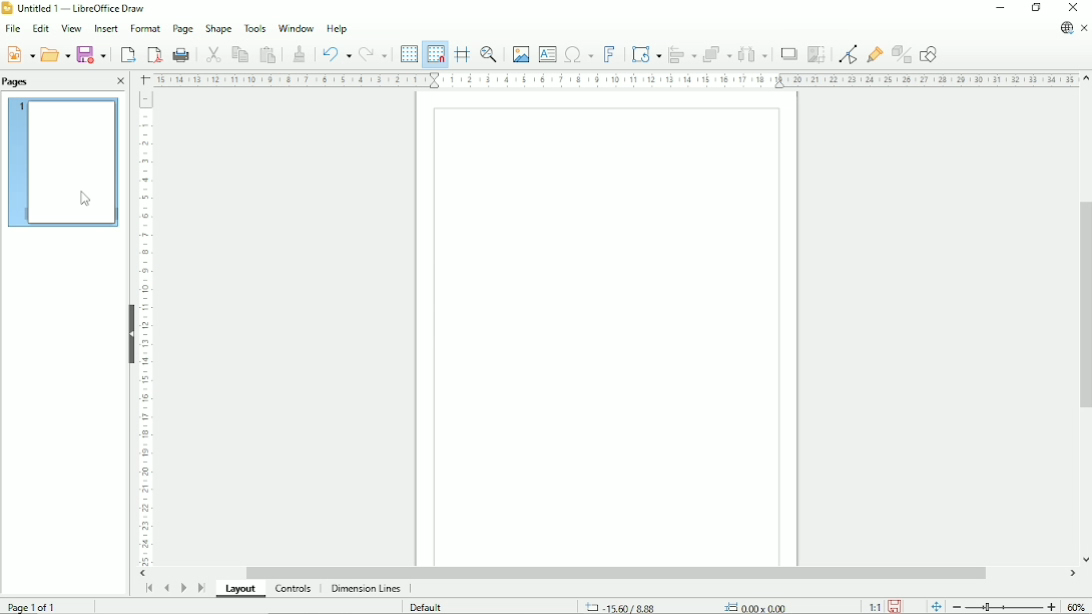 The width and height of the screenshot is (1092, 614). What do you see at coordinates (648, 54) in the screenshot?
I see `Transformation` at bounding box center [648, 54].